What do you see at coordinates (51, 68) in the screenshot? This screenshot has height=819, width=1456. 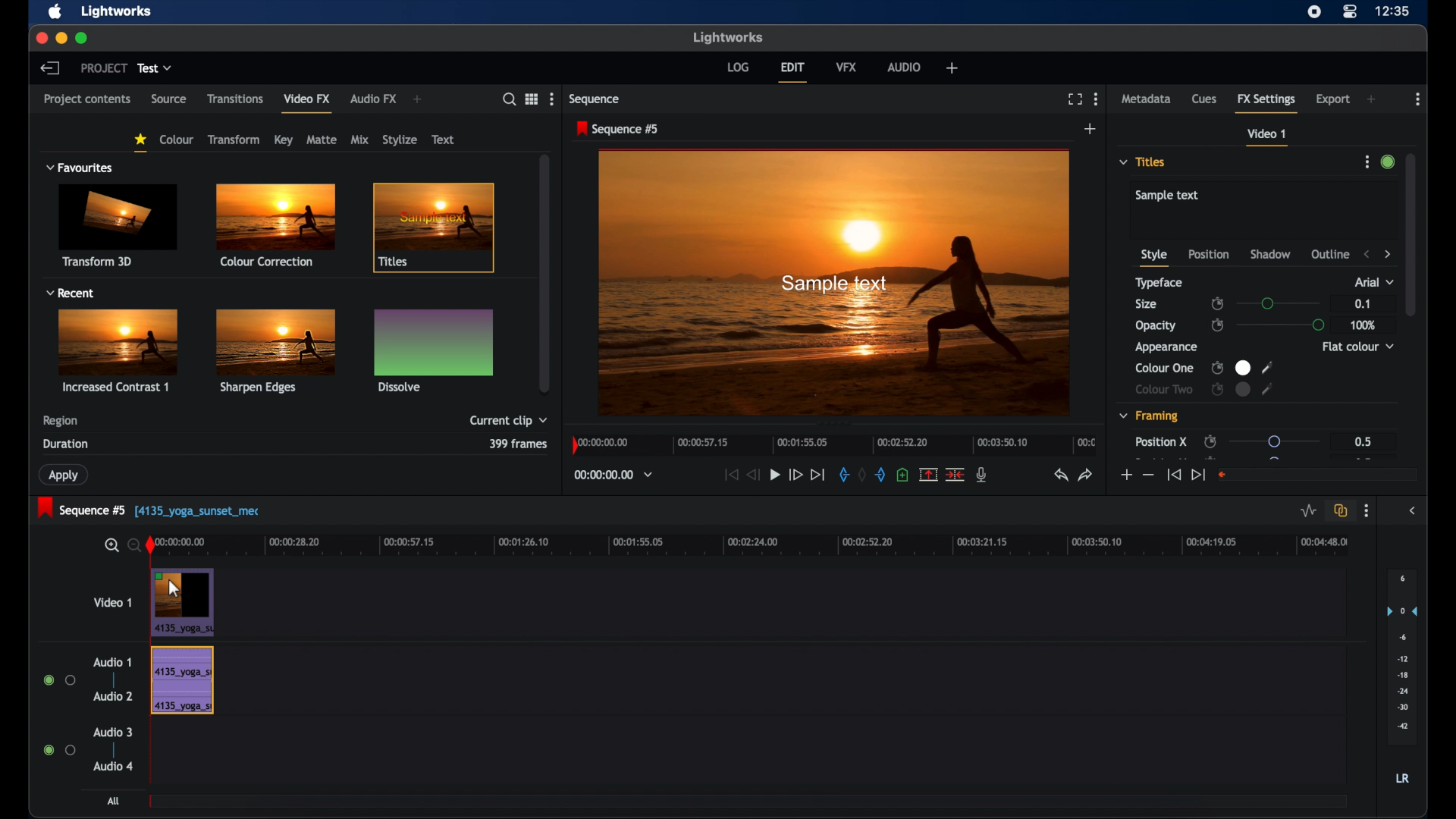 I see `back` at bounding box center [51, 68].